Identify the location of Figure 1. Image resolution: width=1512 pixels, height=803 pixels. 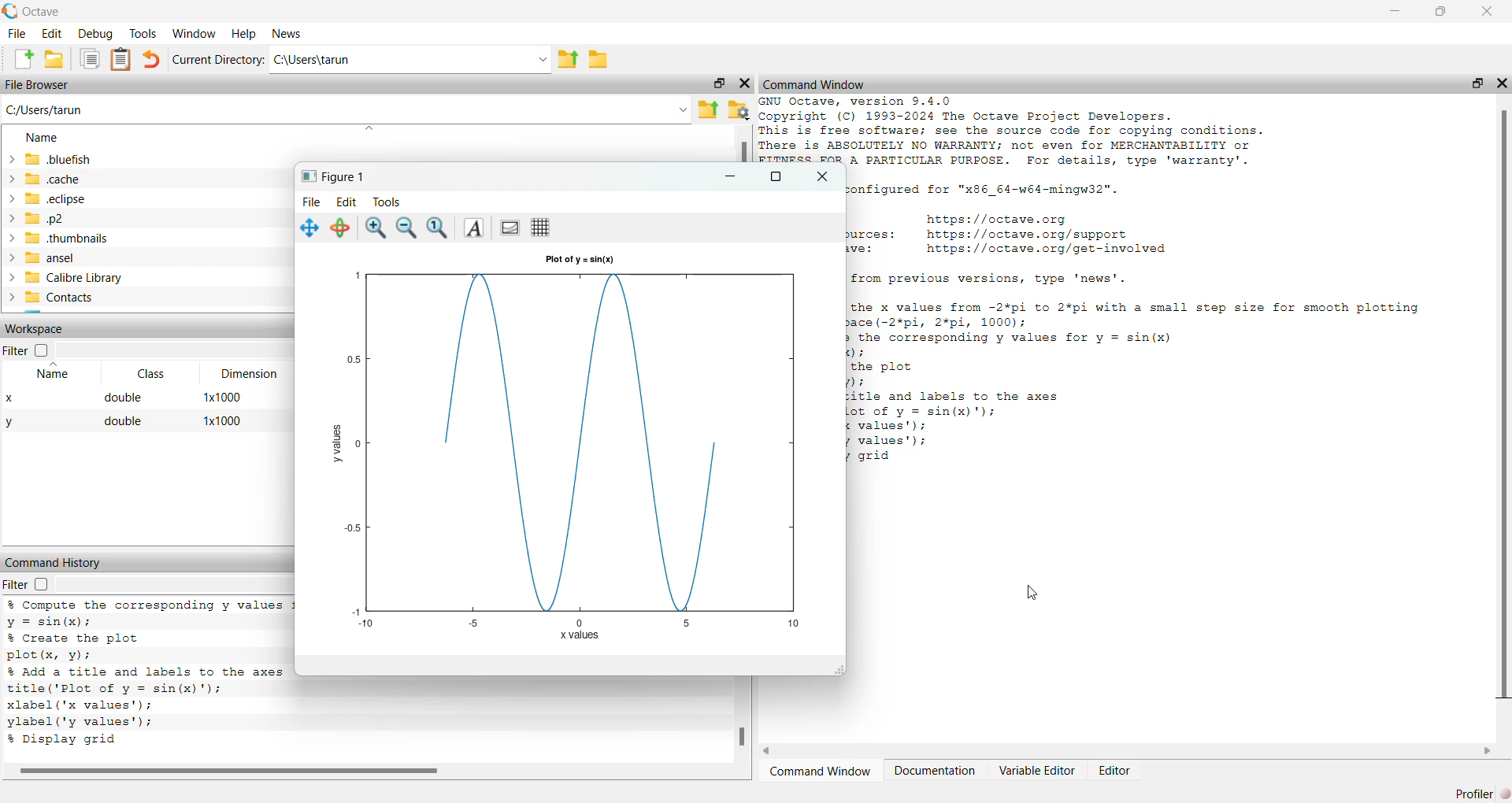
(335, 176).